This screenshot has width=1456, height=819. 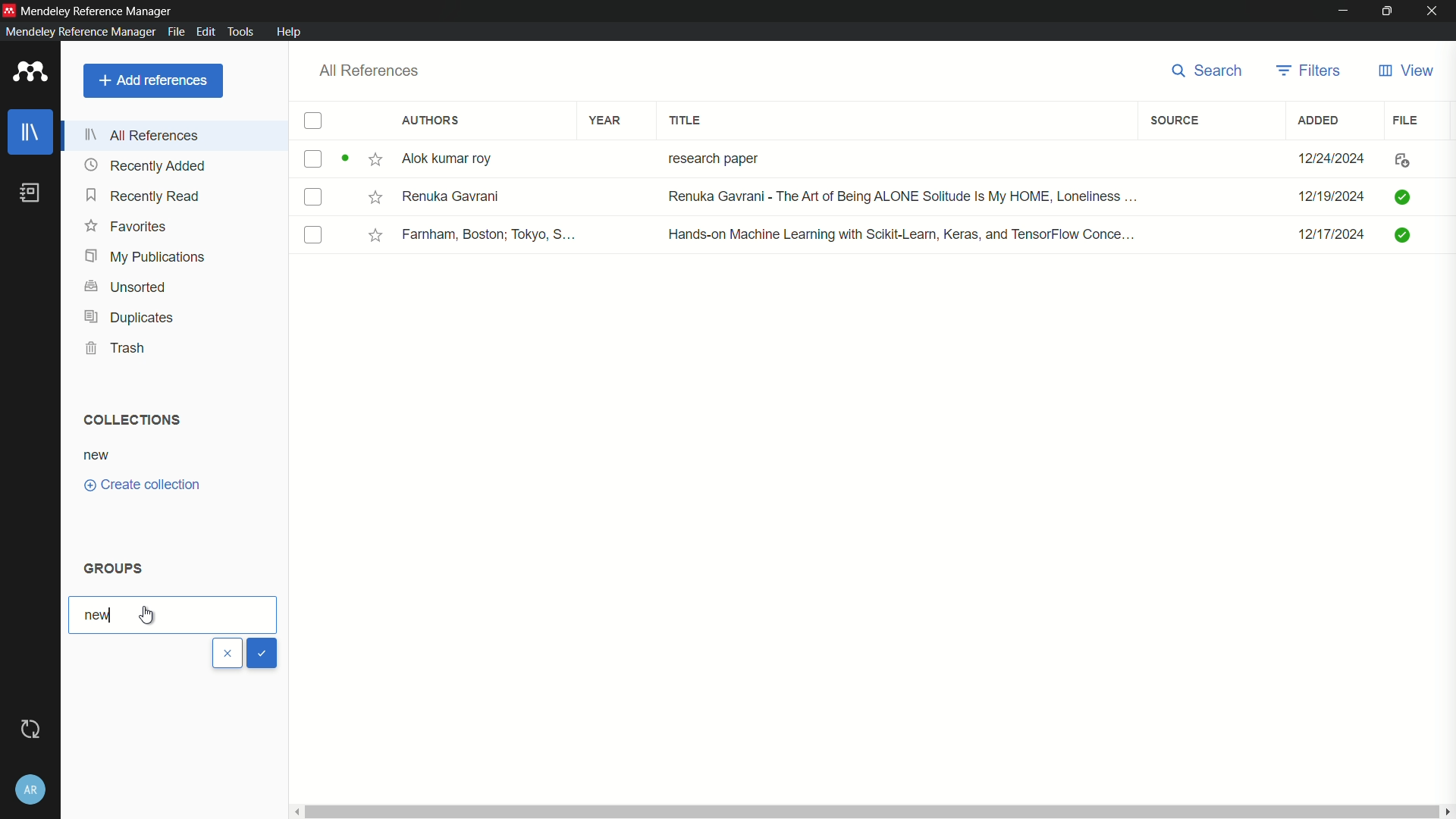 I want to click on added, so click(x=1319, y=120).